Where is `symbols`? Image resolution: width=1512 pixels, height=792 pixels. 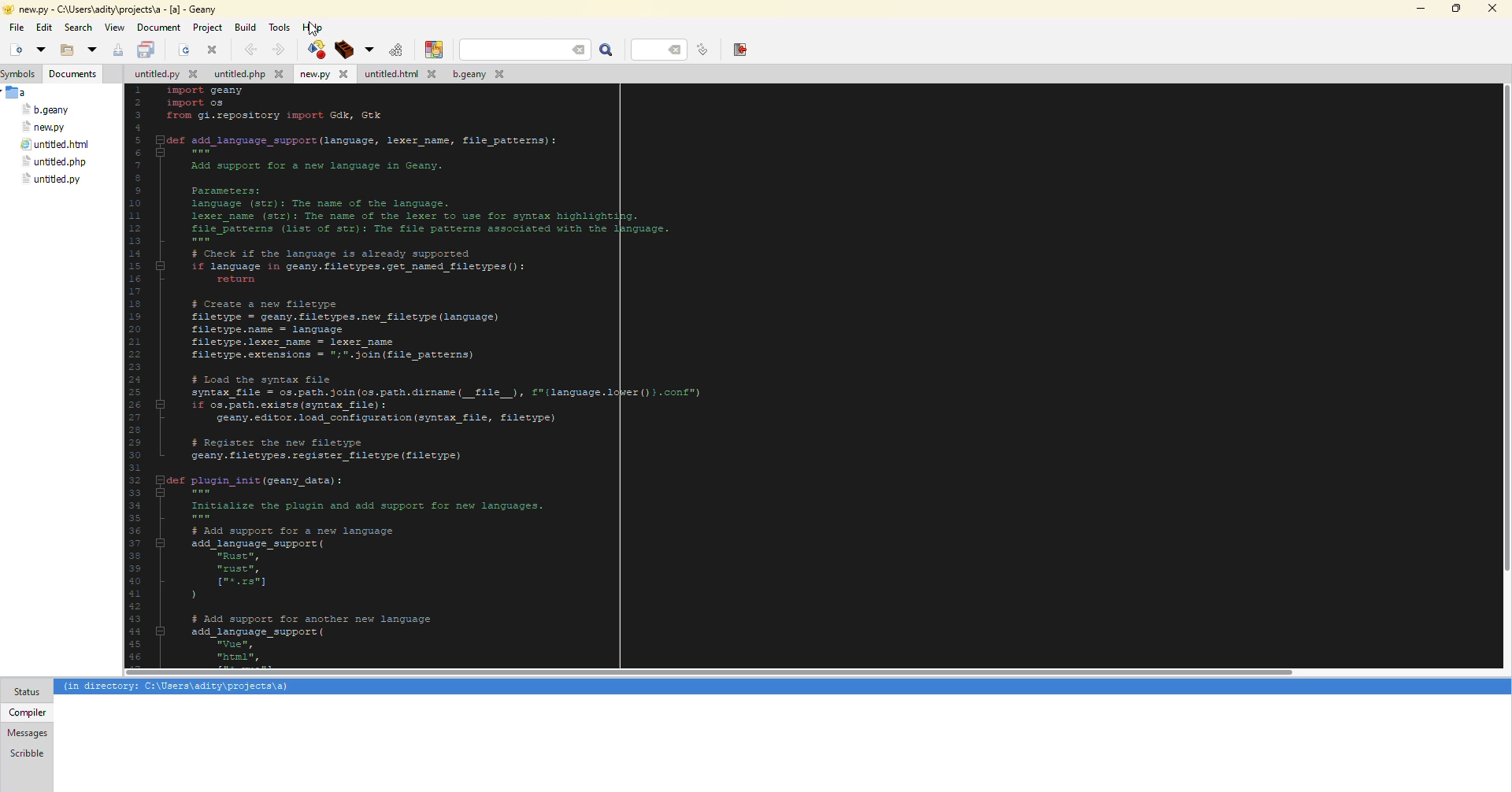 symbols is located at coordinates (22, 74).